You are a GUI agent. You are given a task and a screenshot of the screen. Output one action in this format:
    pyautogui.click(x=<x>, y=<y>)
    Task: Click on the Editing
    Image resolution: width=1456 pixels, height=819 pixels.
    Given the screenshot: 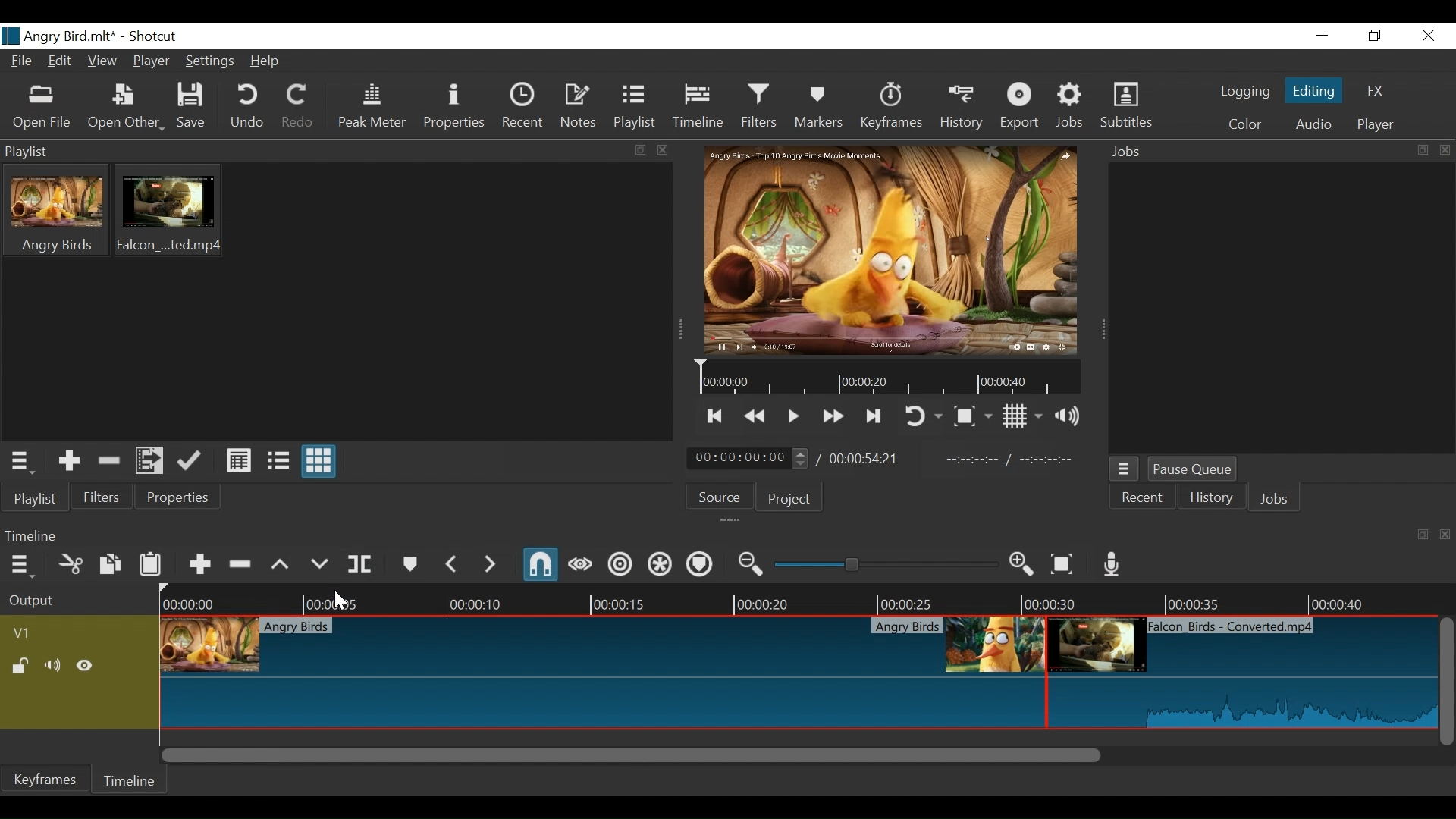 What is the action you would take?
    pyautogui.click(x=1314, y=90)
    